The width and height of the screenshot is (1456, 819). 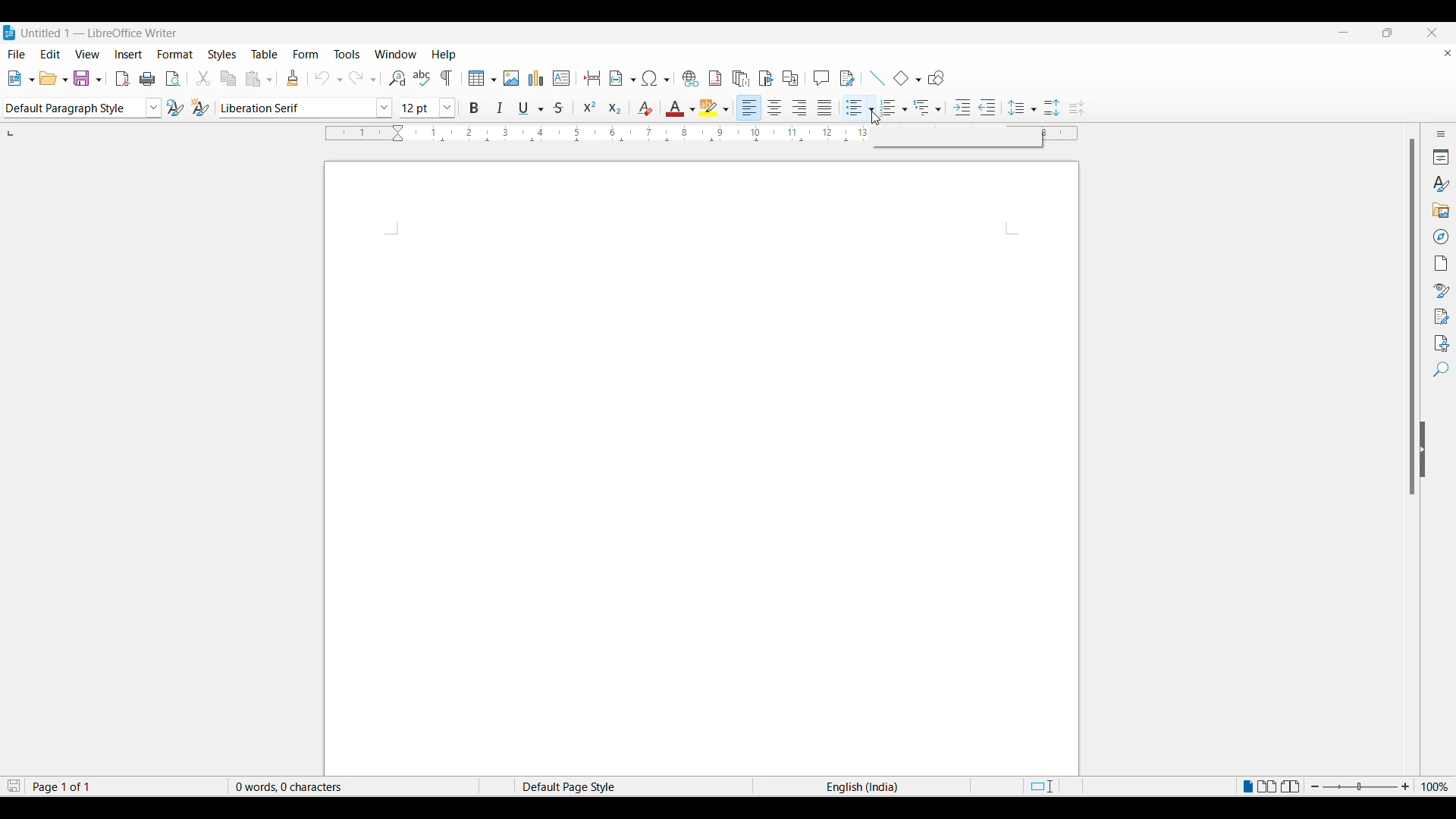 I want to click on clear direct formatting, so click(x=644, y=108).